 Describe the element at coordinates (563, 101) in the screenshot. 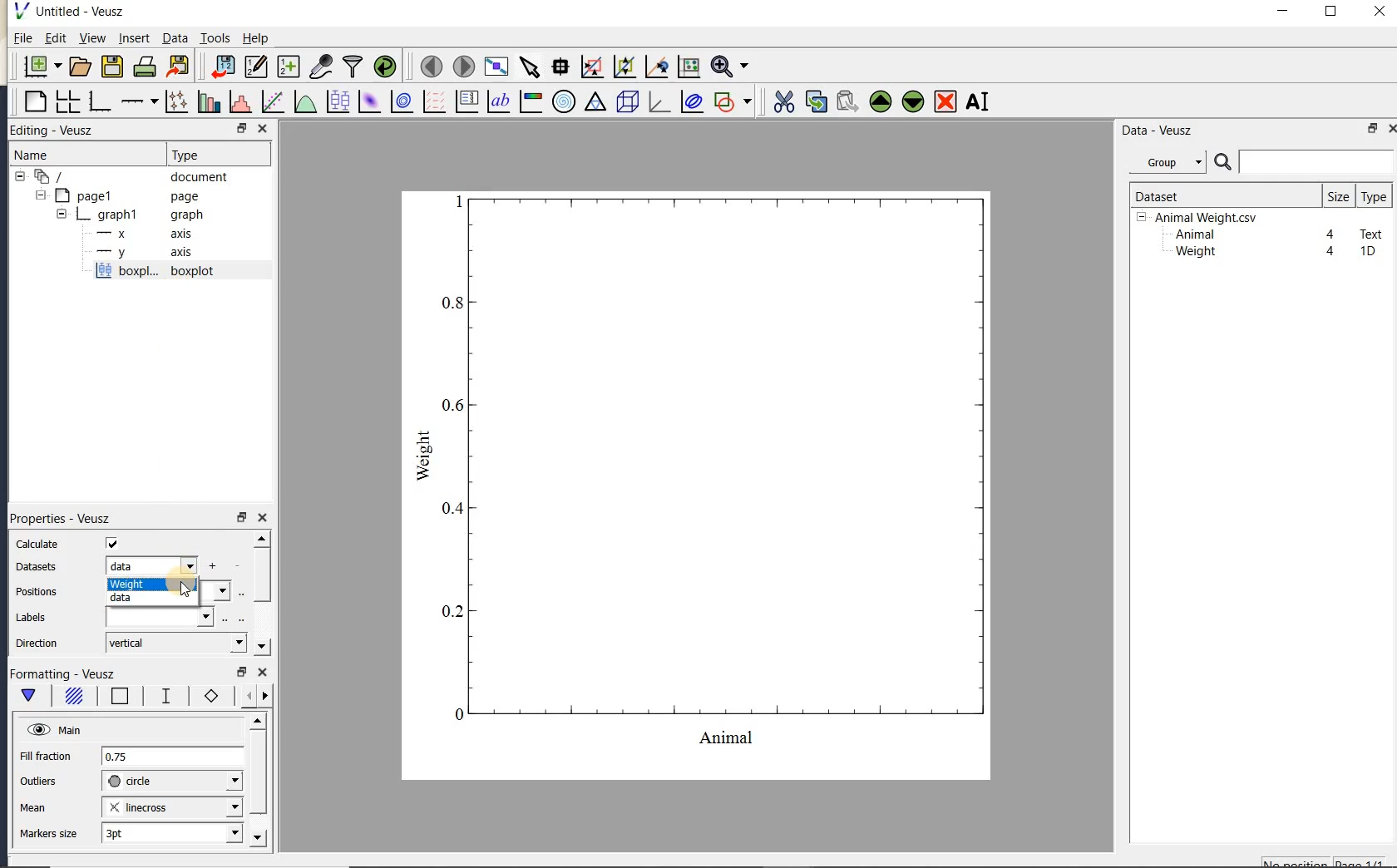

I see `polar graph` at that location.